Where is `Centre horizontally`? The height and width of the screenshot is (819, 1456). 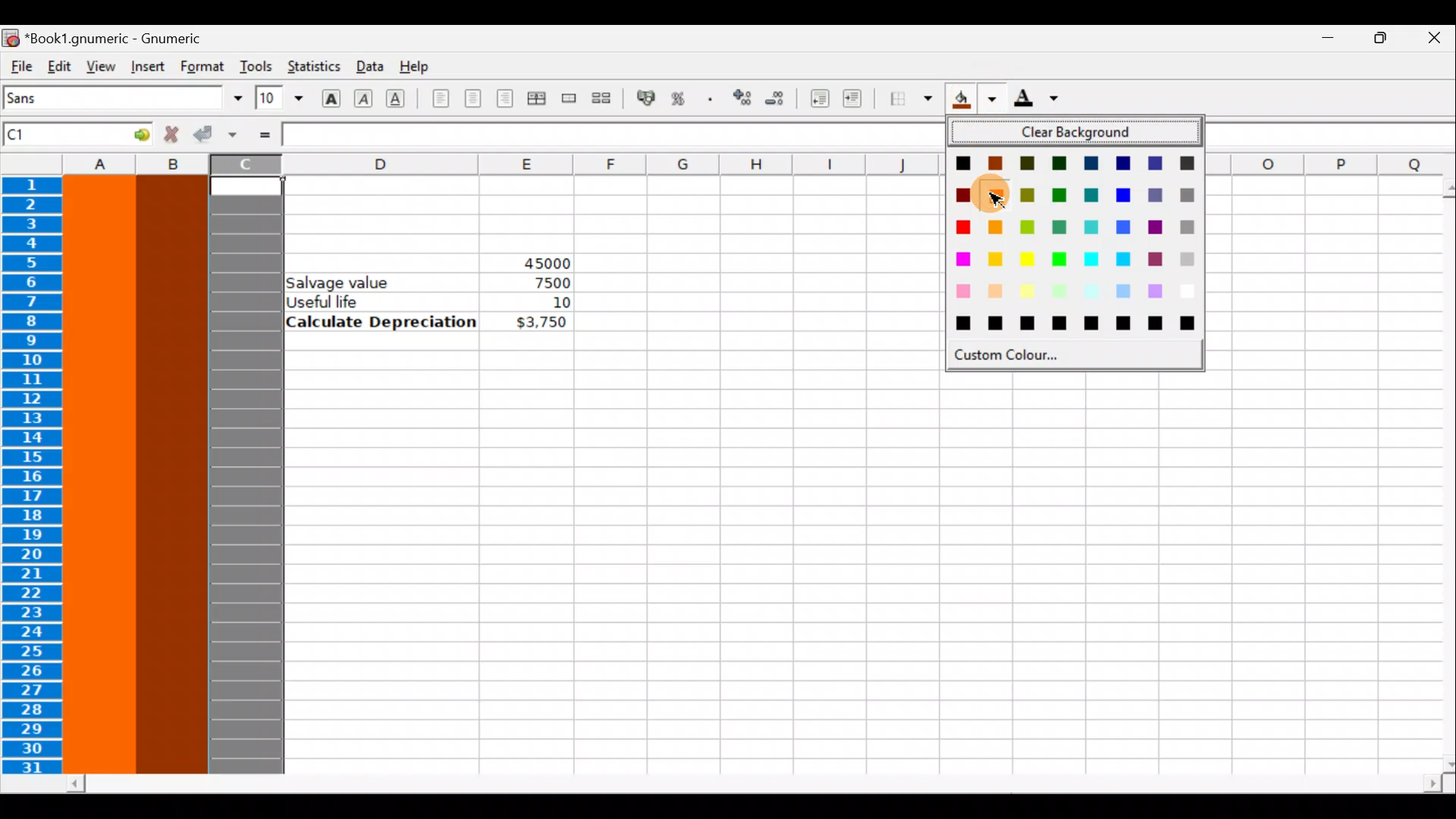 Centre horizontally is located at coordinates (472, 103).